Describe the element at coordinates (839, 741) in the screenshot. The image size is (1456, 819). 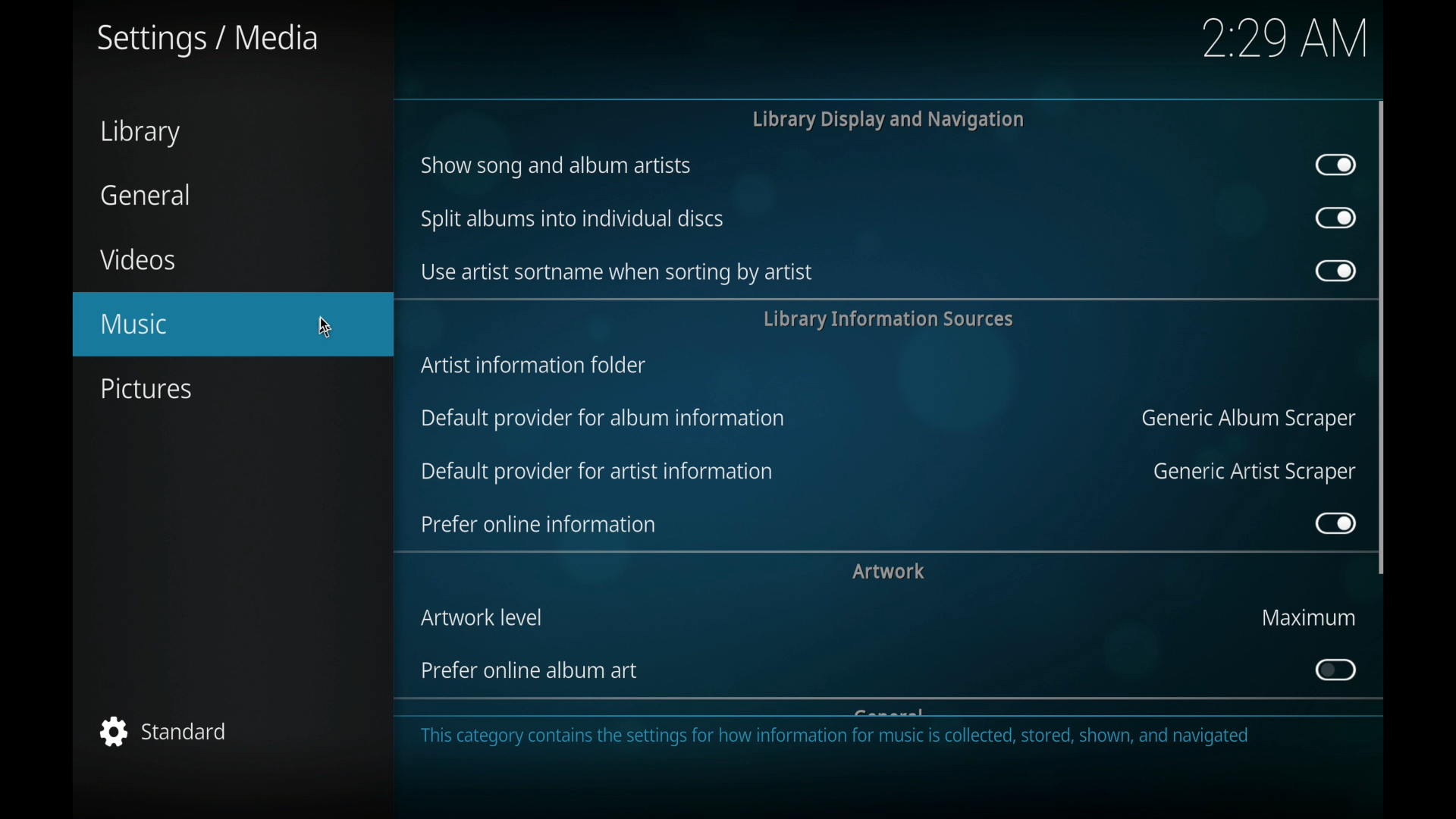
I see `This category contains the settings for how information for music is collected, stored, shown, and navigated` at that location.